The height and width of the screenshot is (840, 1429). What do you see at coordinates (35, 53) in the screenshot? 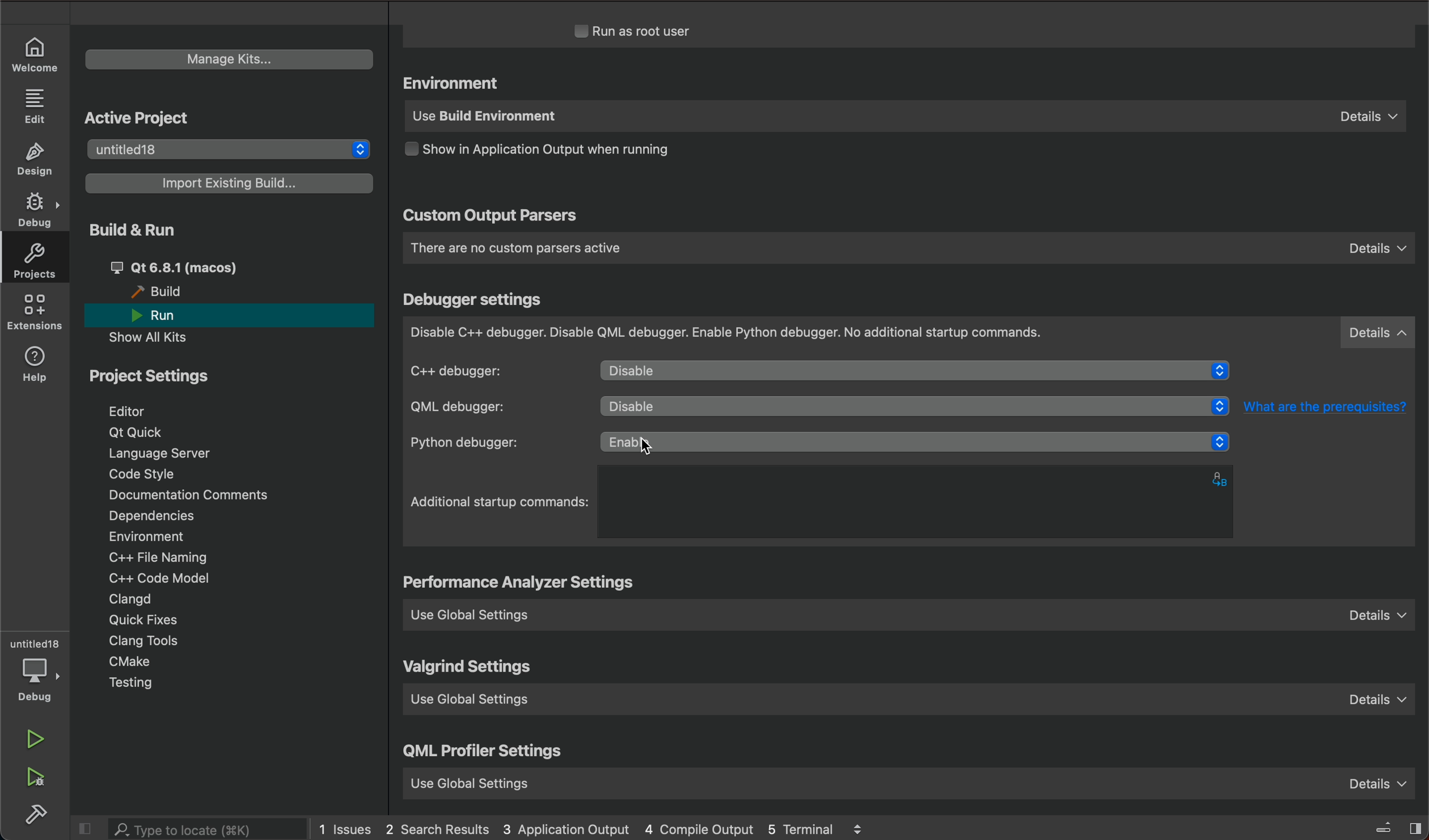
I see `WELCOME` at bounding box center [35, 53].